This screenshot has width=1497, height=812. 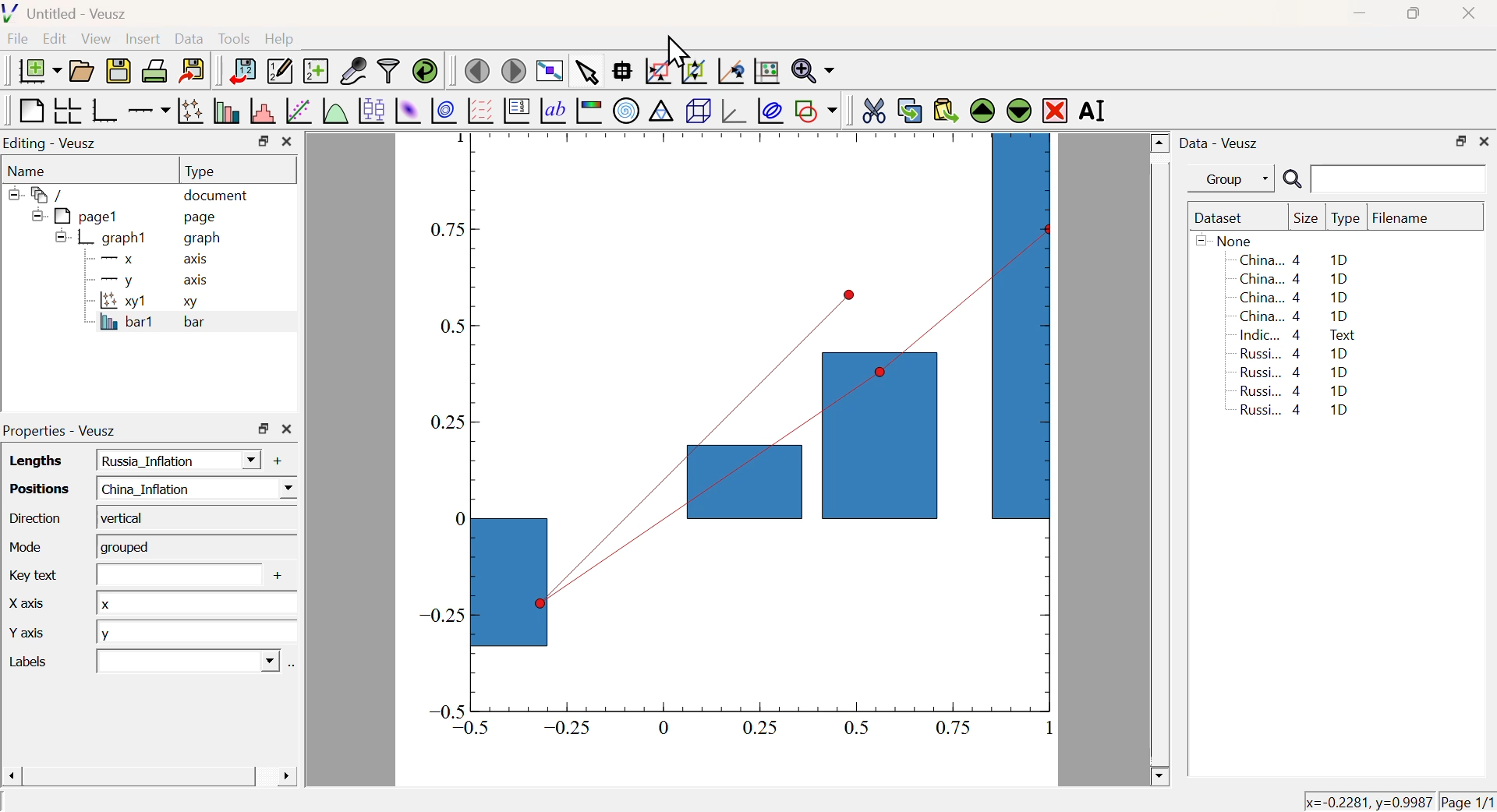 I want to click on Tools, so click(x=234, y=40).